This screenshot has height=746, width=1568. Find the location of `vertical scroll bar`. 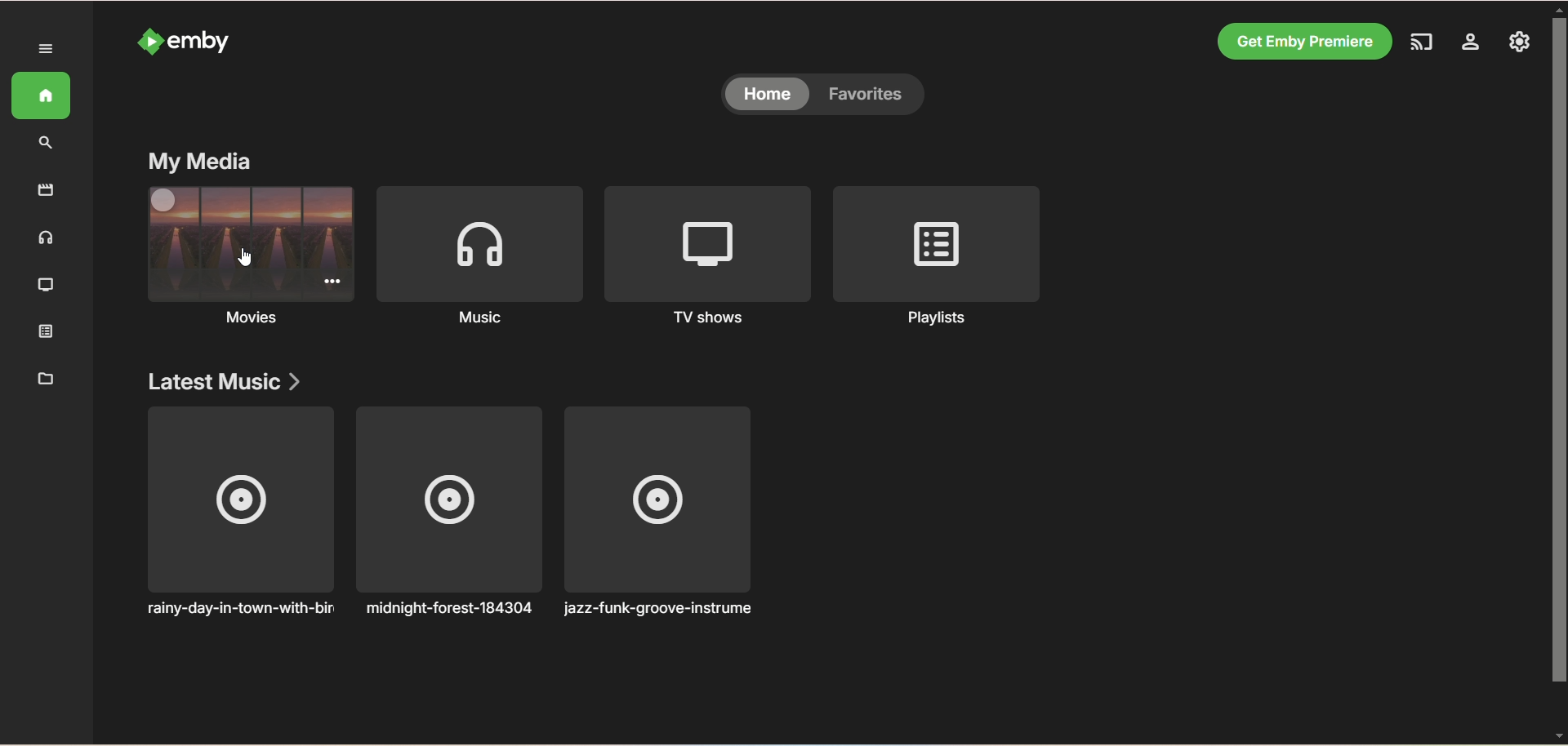

vertical scroll bar is located at coordinates (1558, 371).